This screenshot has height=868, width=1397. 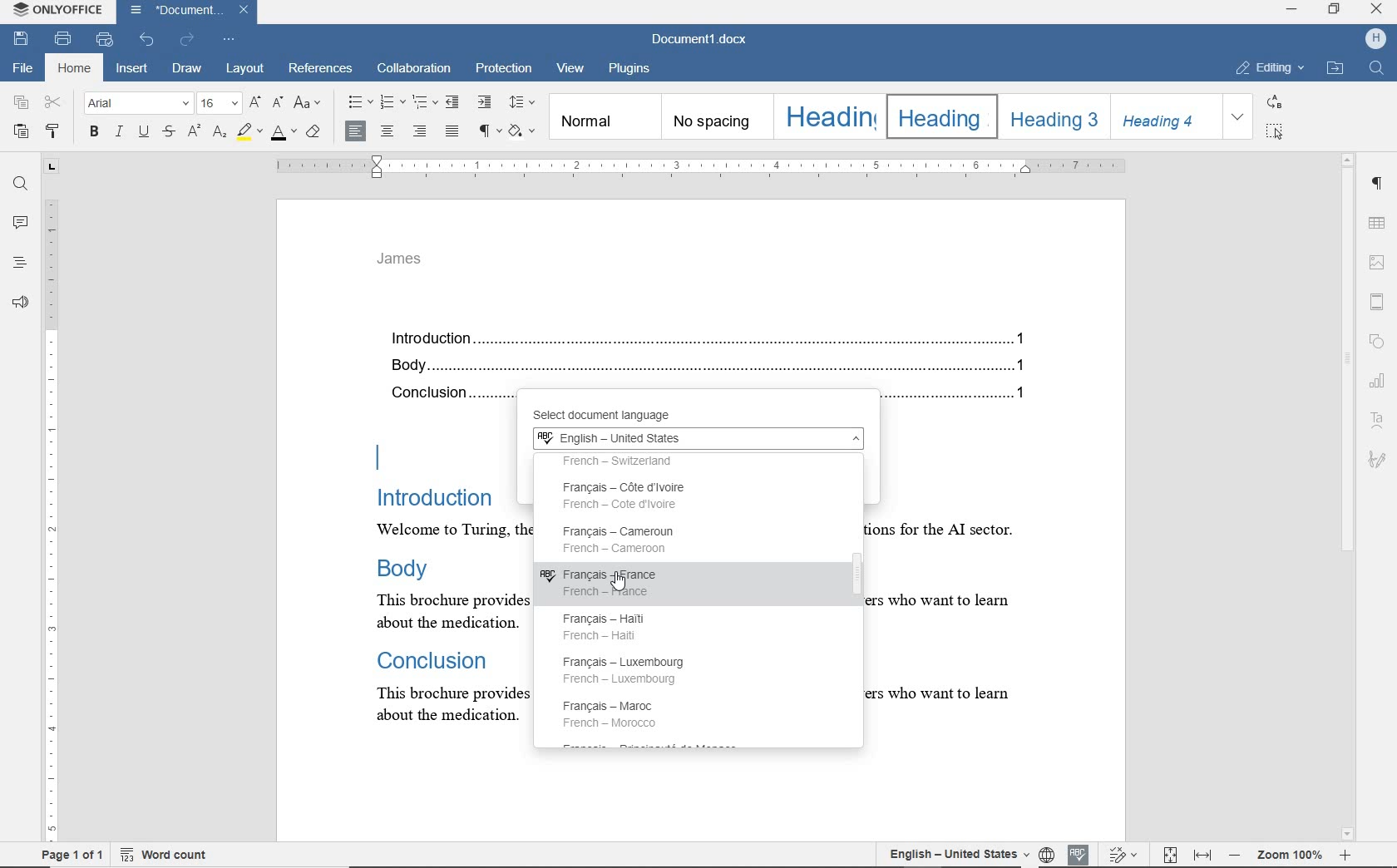 I want to click on font, so click(x=139, y=104).